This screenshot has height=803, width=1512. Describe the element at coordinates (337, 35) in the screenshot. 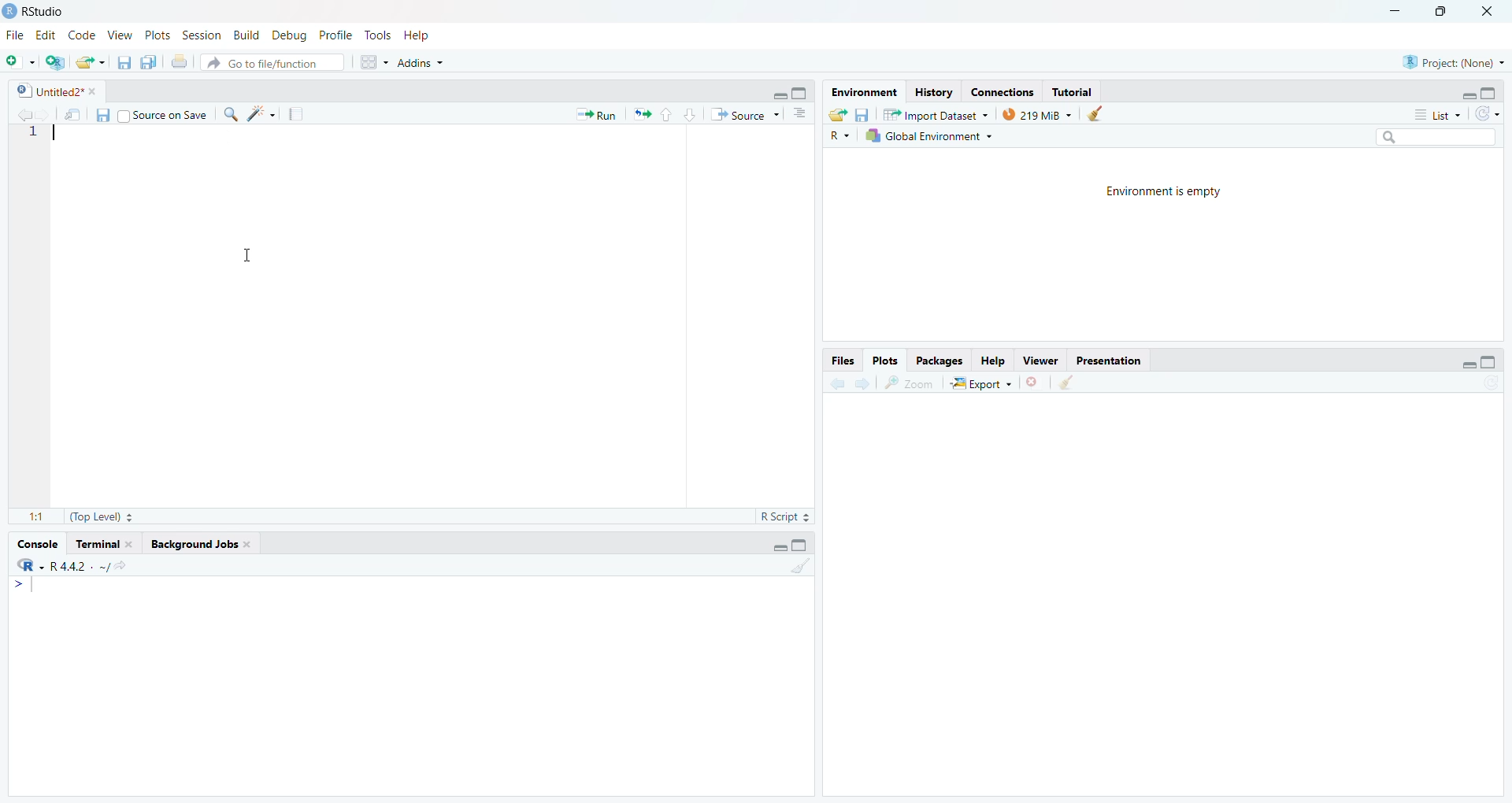

I see `Profile` at that location.